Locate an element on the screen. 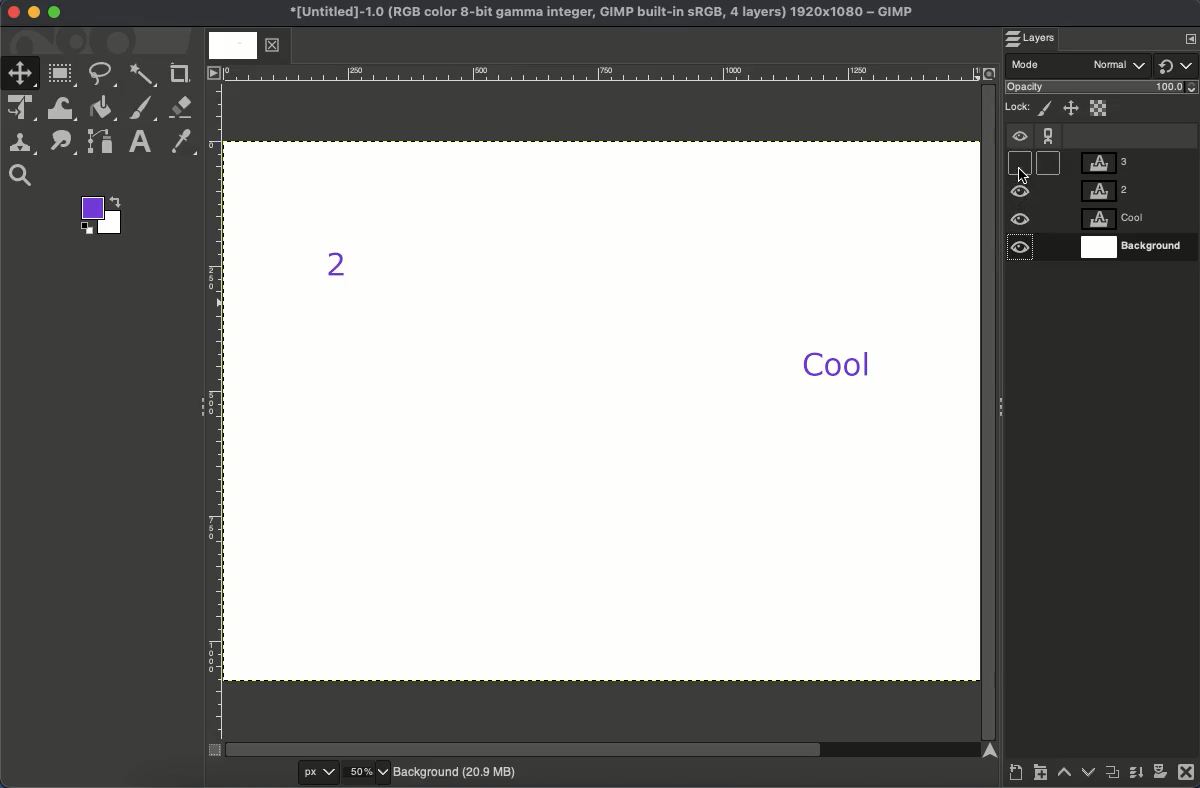 This screenshot has width=1200, height=788. cursor is located at coordinates (1025, 170).